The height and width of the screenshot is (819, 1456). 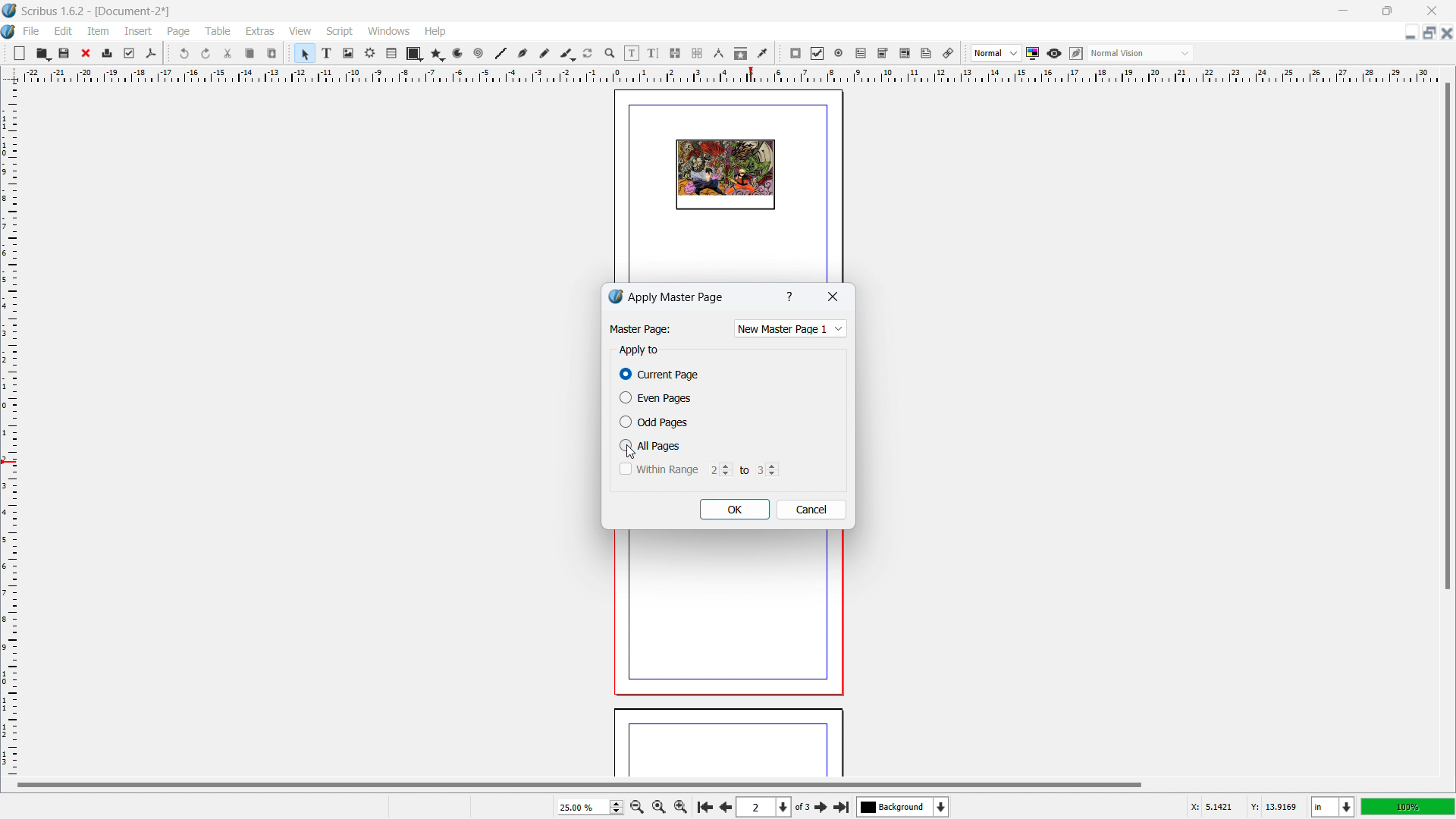 I want to click on help, so click(x=791, y=297).